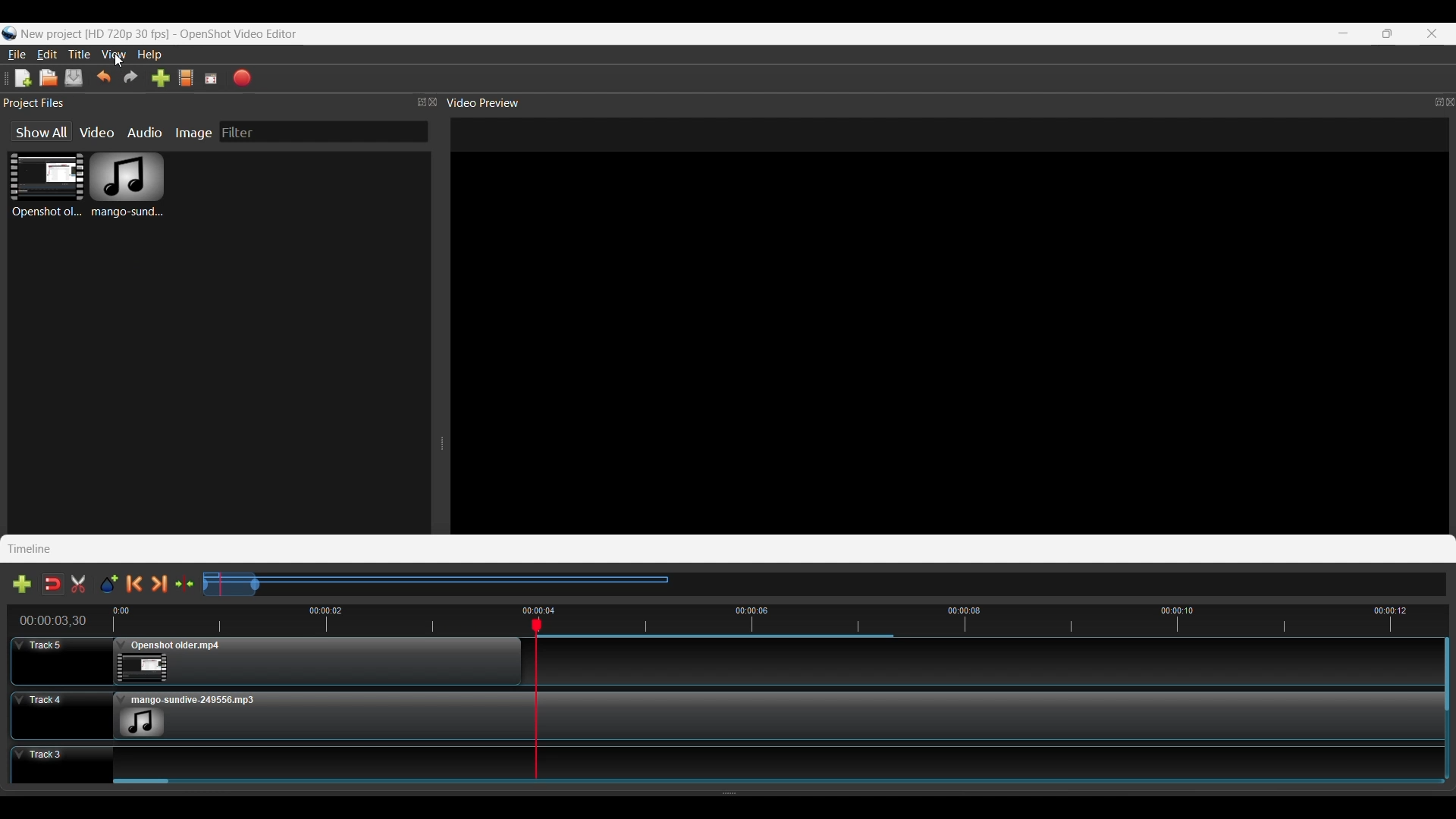 This screenshot has width=1456, height=819. I want to click on View, so click(114, 55).